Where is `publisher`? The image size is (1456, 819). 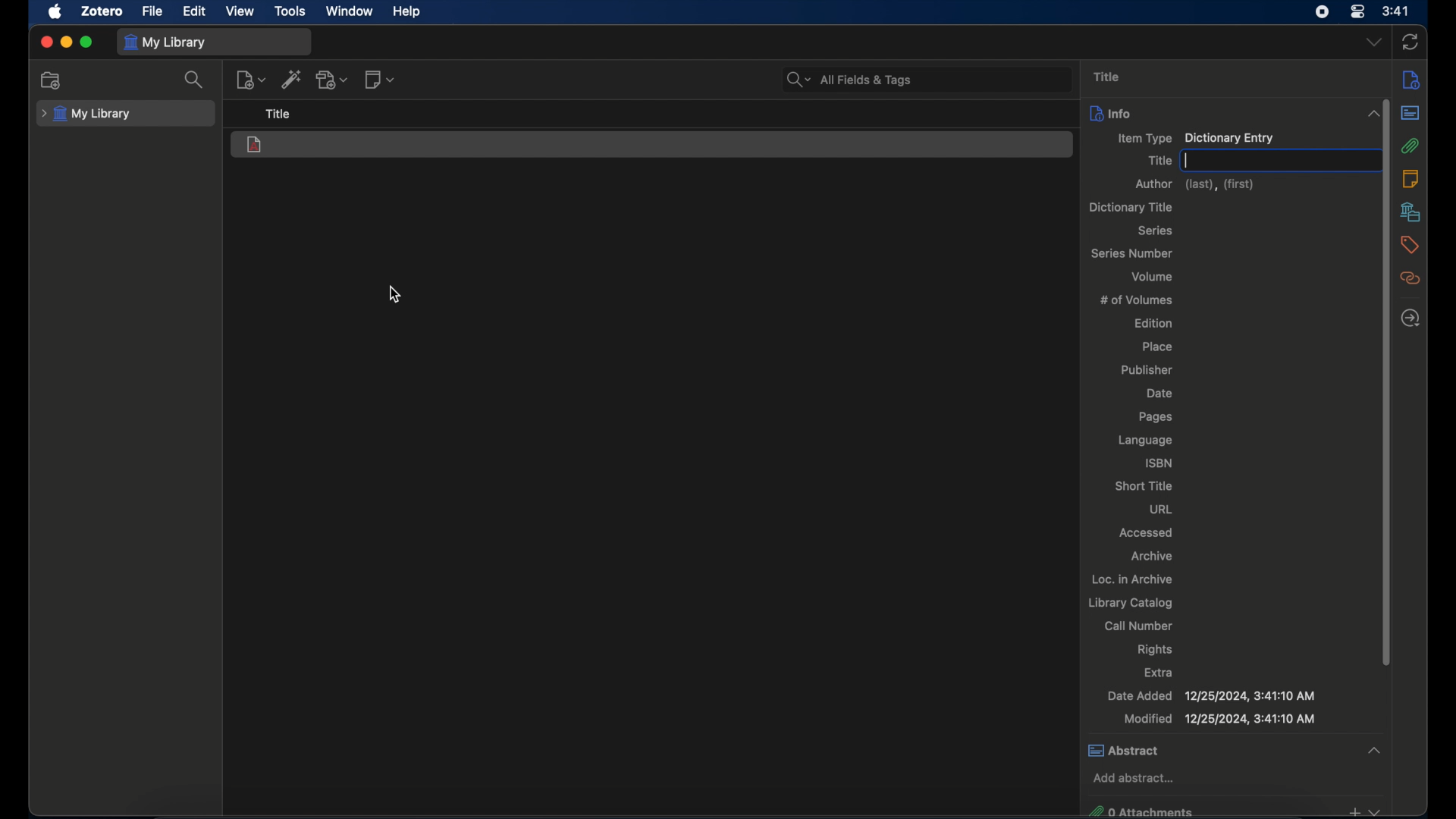
publisher is located at coordinates (1147, 371).